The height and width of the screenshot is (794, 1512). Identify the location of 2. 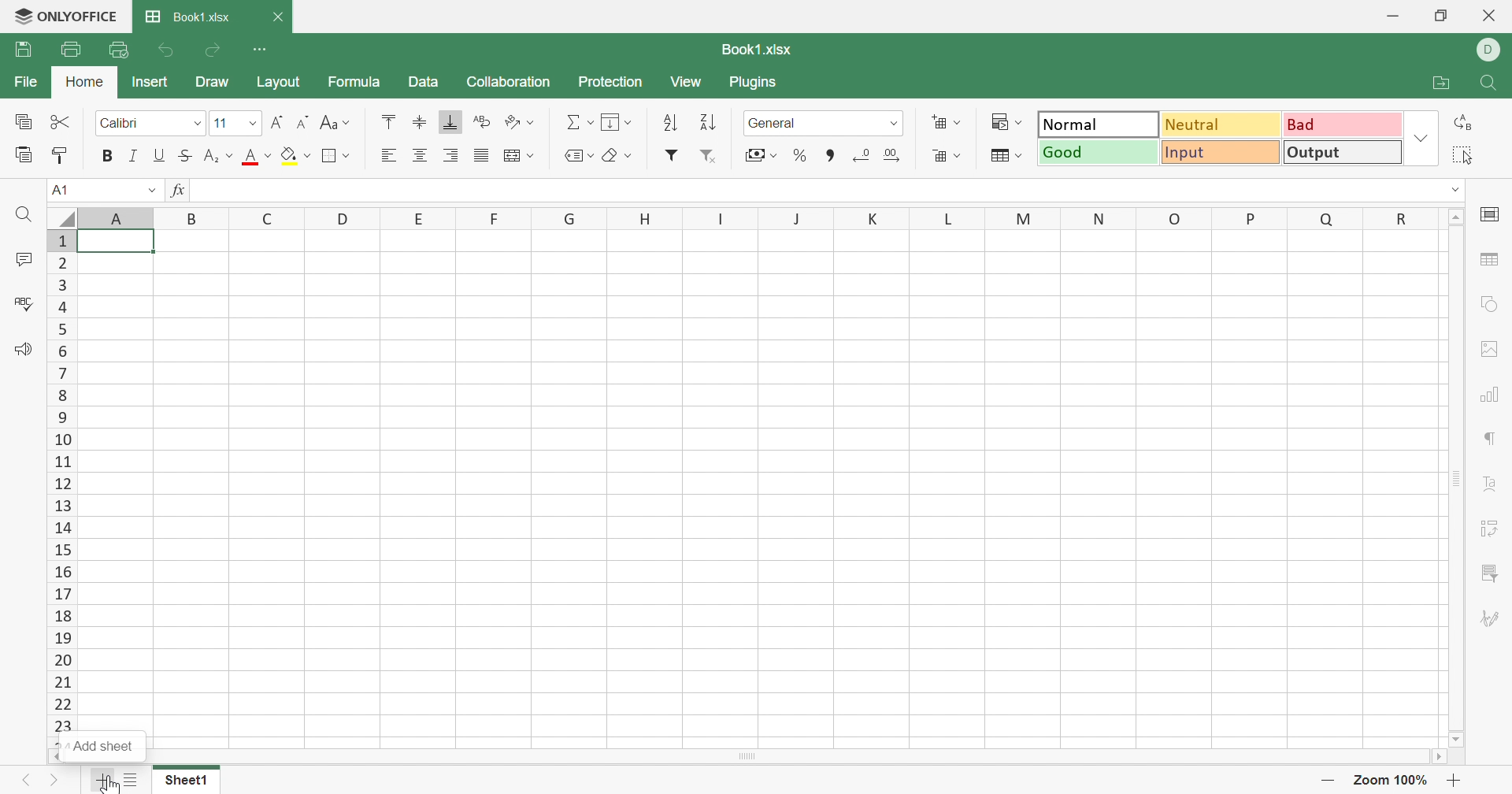
(57, 264).